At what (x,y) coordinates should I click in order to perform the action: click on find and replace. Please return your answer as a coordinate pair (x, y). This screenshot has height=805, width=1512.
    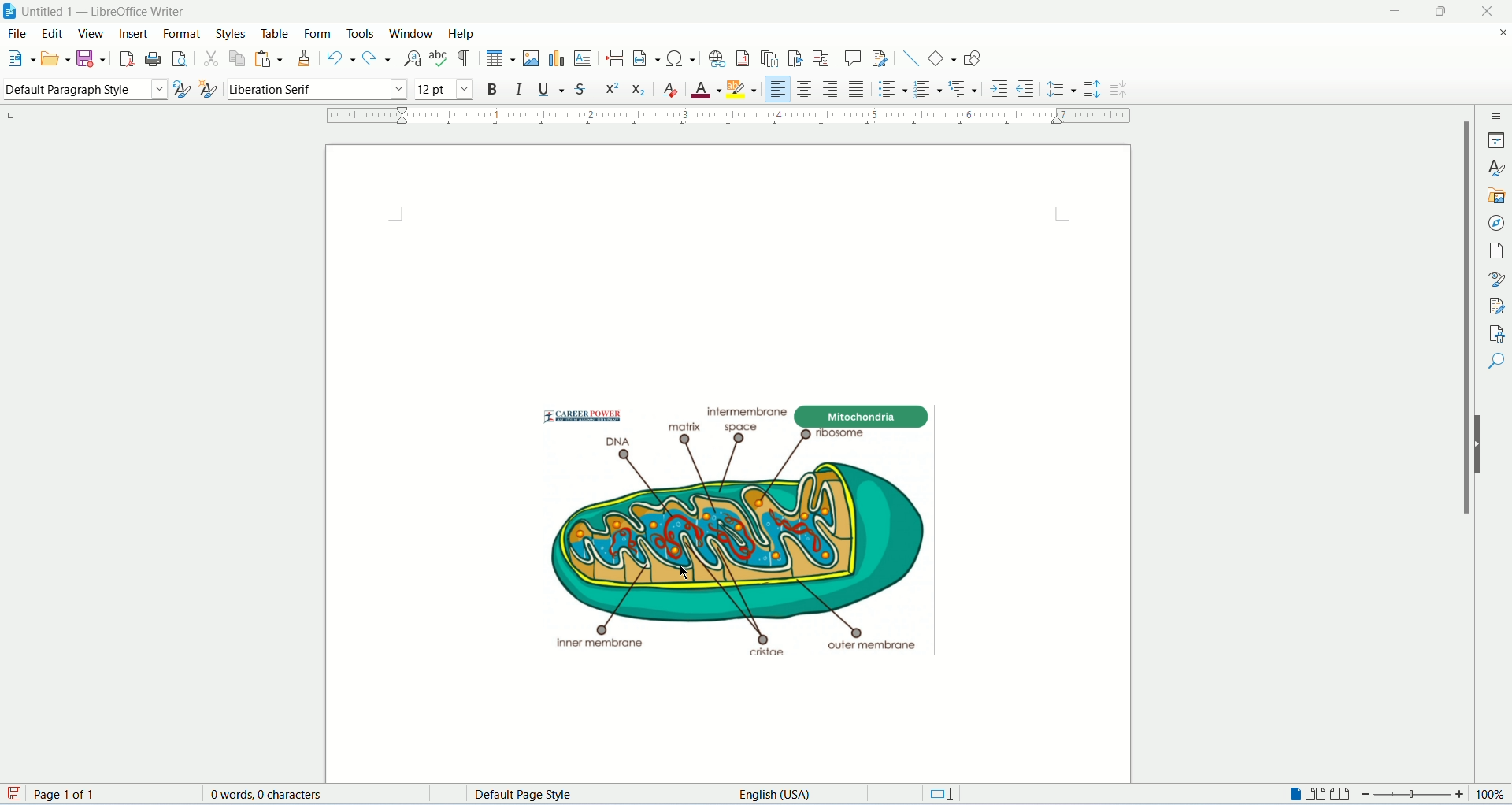
    Looking at the image, I should click on (413, 59).